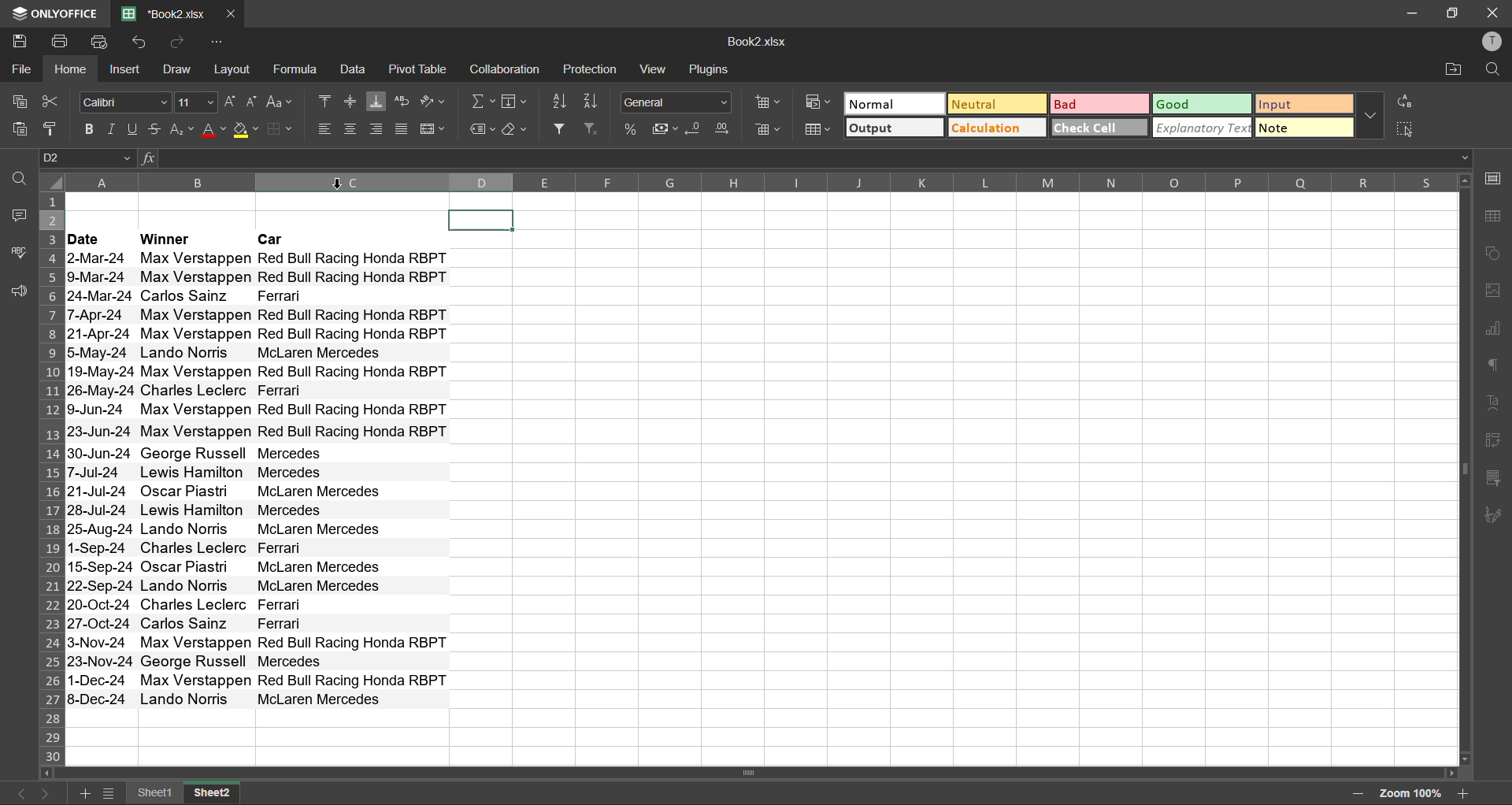 Image resolution: width=1512 pixels, height=805 pixels. I want to click on paragraph, so click(1493, 368).